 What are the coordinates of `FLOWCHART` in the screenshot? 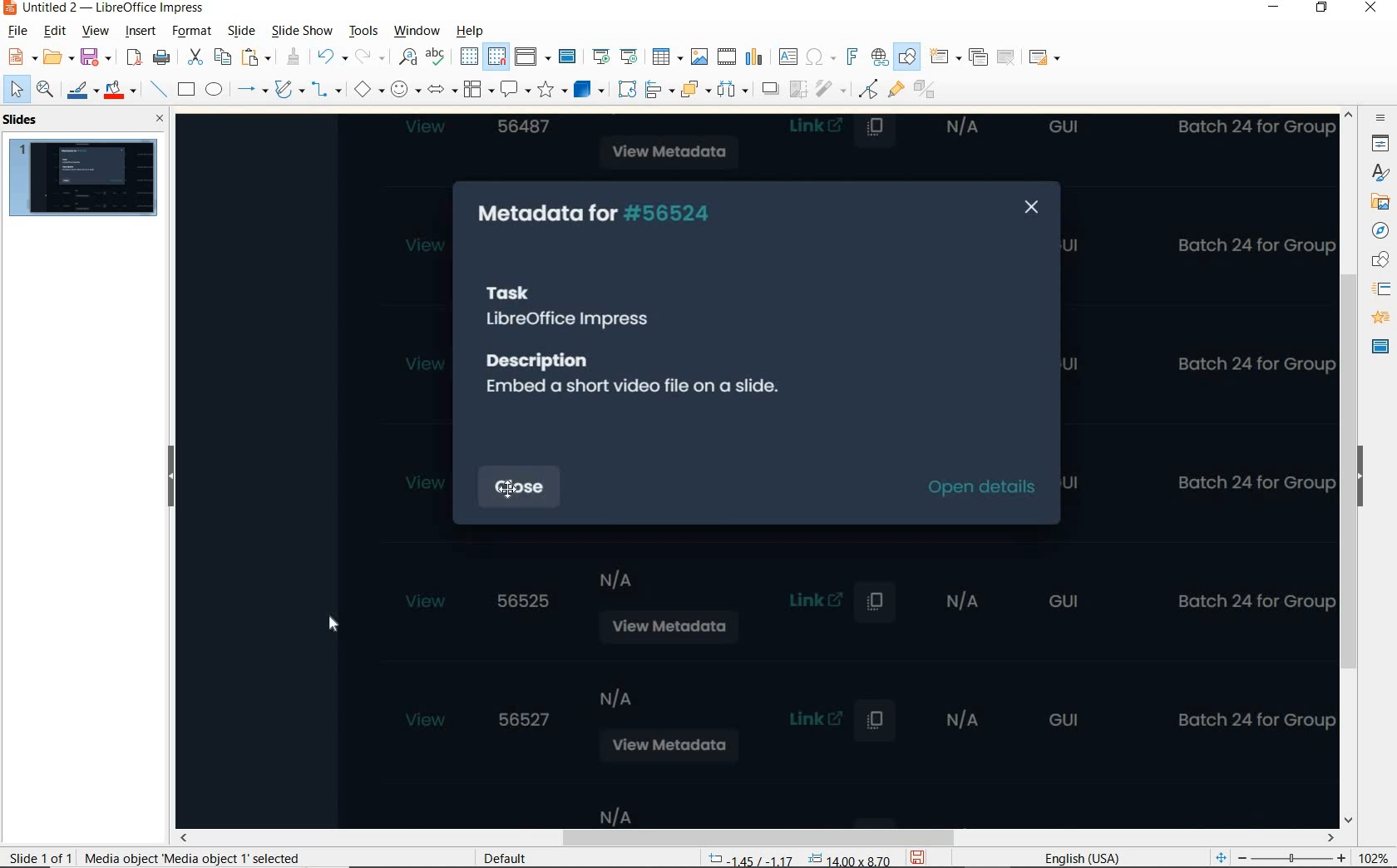 It's located at (478, 92).